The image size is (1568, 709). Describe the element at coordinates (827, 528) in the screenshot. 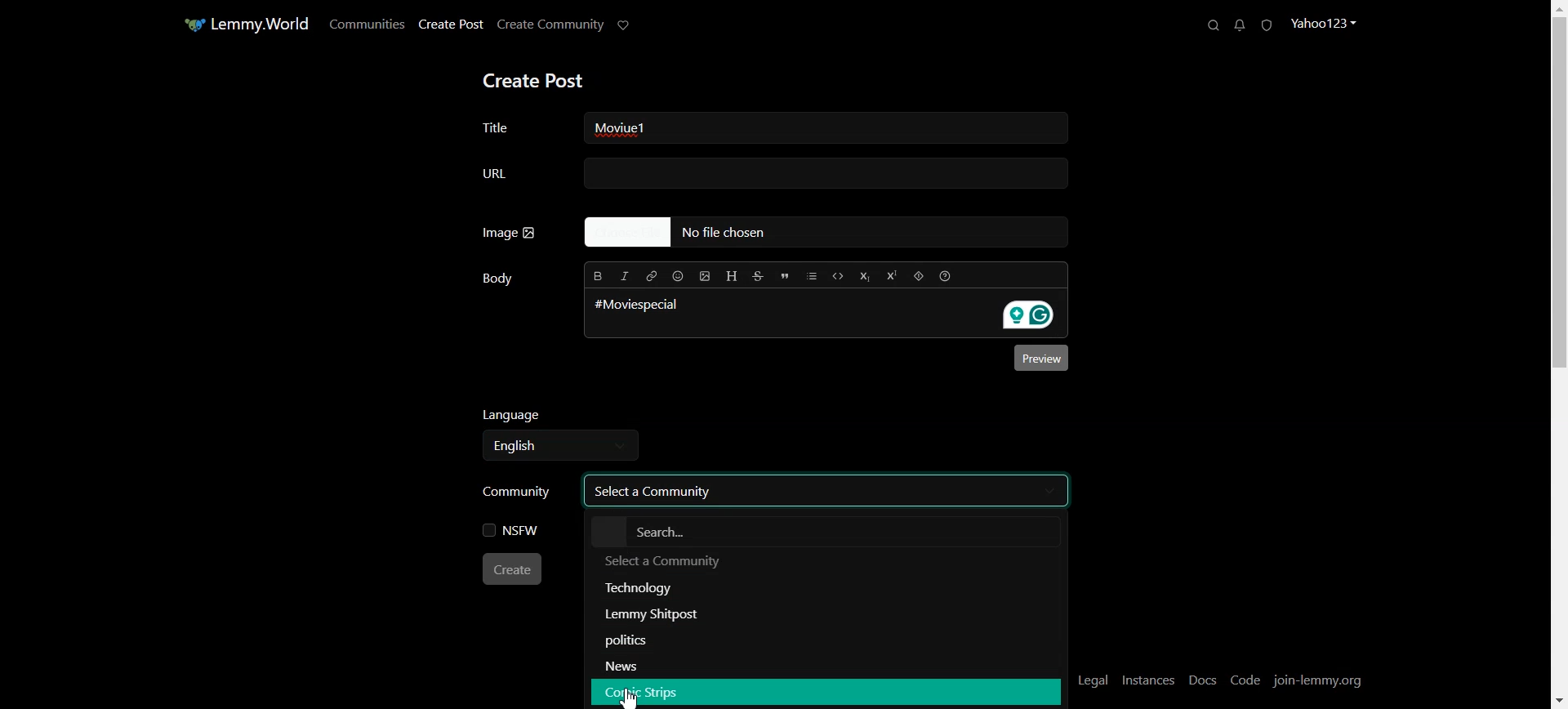

I see `Search bar` at that location.